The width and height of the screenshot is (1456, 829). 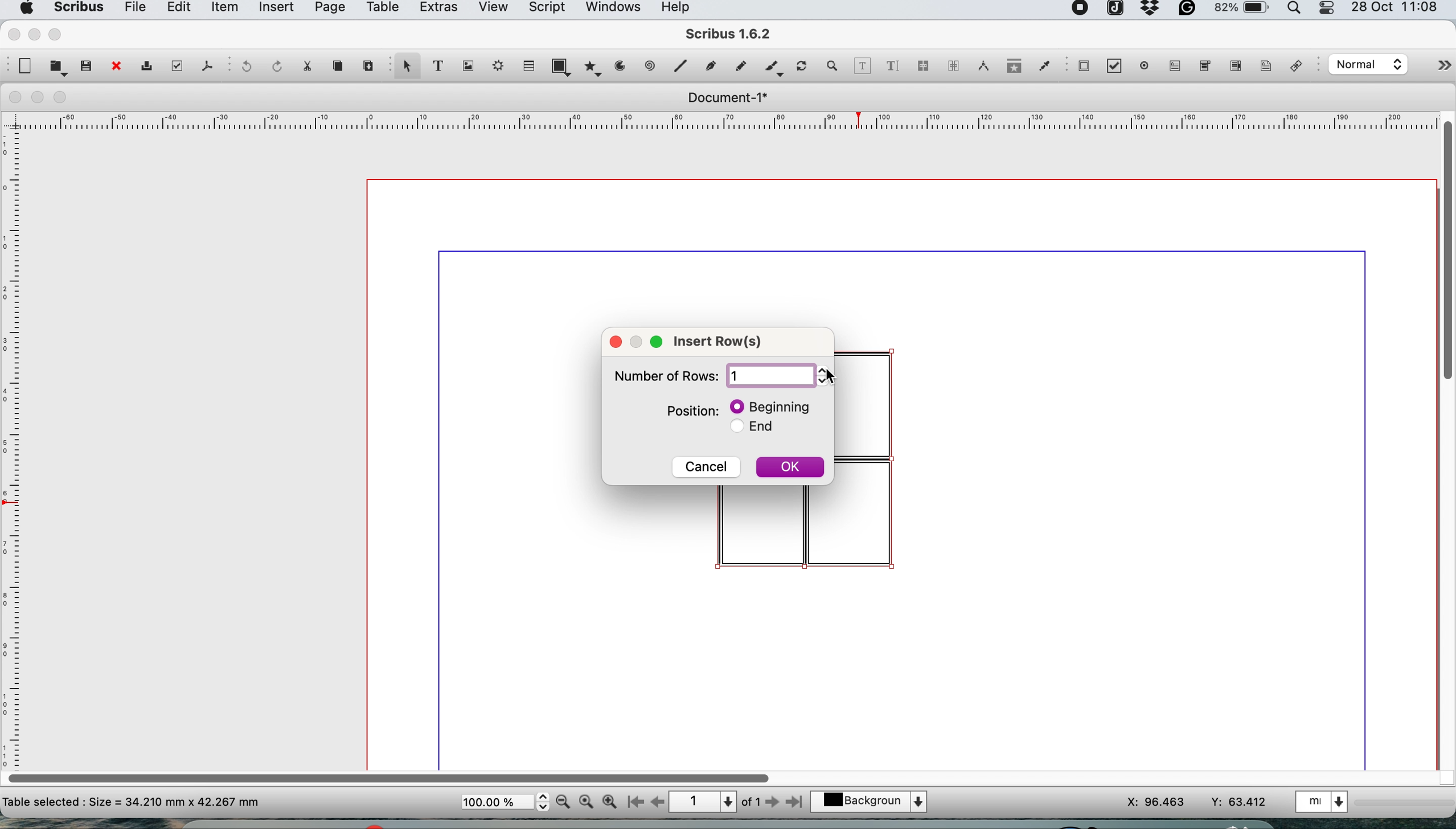 What do you see at coordinates (133, 10) in the screenshot?
I see `file` at bounding box center [133, 10].